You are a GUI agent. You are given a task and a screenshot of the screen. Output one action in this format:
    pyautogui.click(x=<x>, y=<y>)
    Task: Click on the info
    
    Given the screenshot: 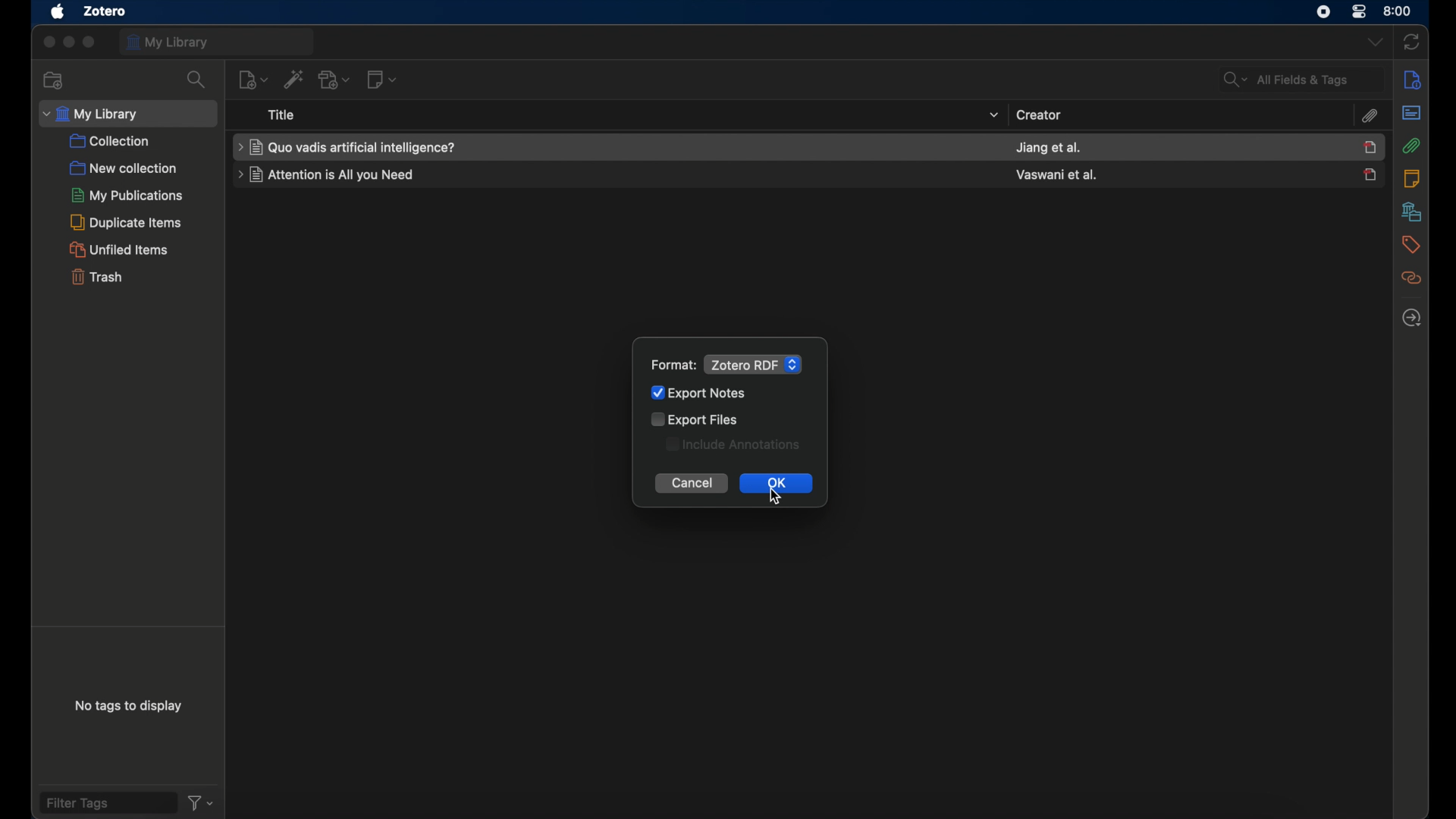 What is the action you would take?
    pyautogui.click(x=1410, y=80)
    